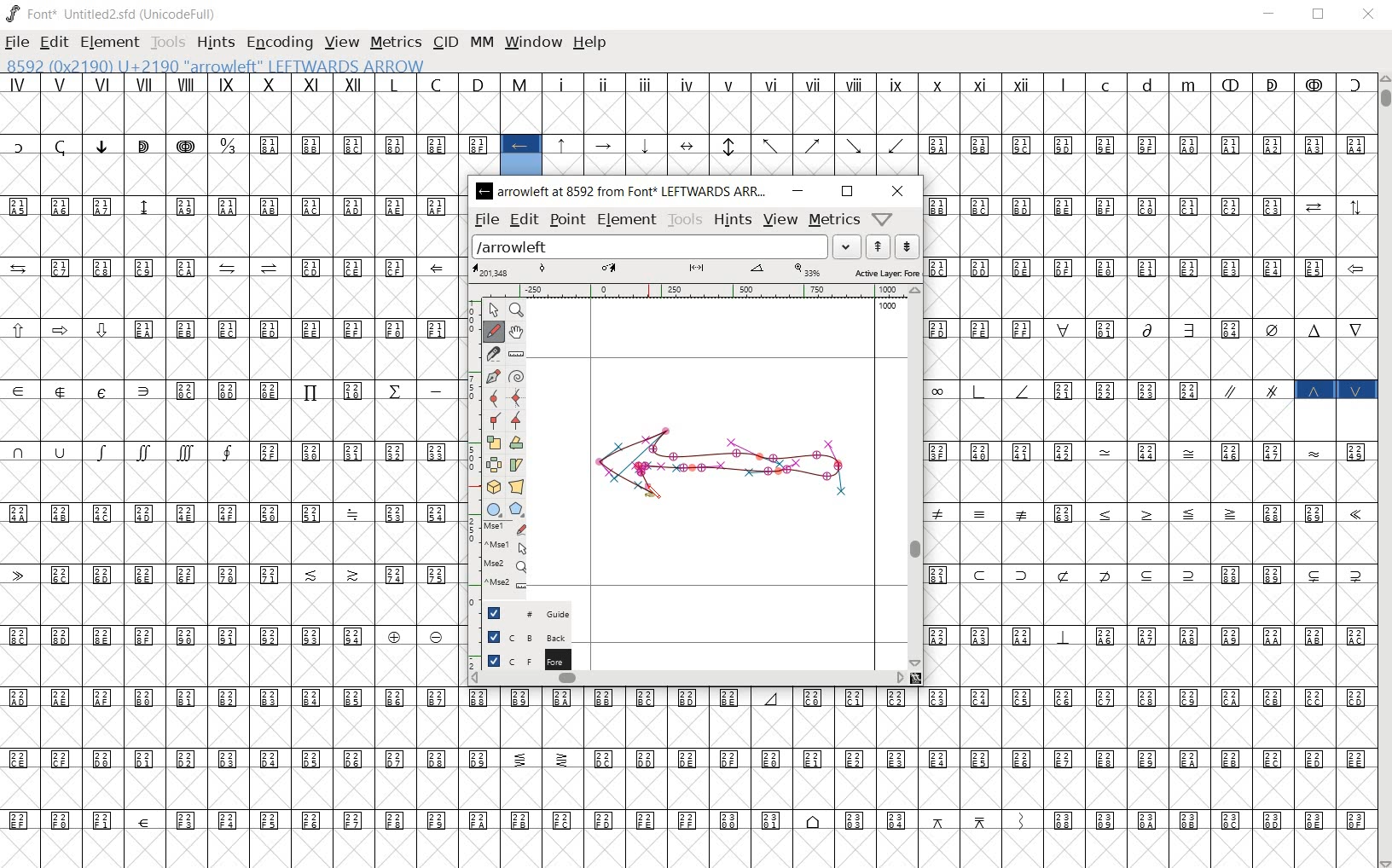  What do you see at coordinates (625, 192) in the screenshot?
I see `glyph name` at bounding box center [625, 192].